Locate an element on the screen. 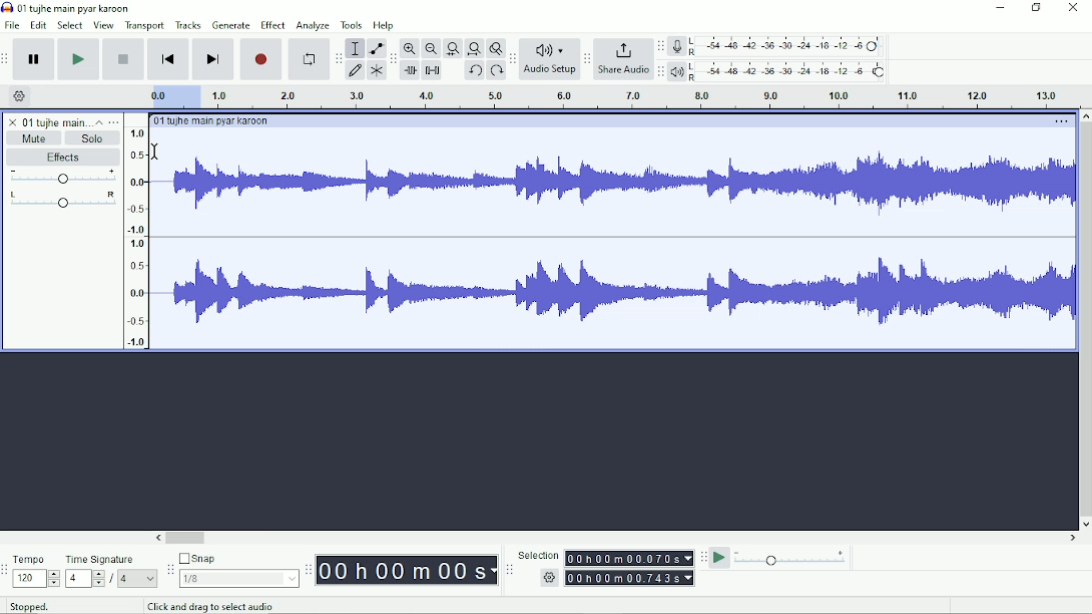  Playback speed is located at coordinates (791, 560).